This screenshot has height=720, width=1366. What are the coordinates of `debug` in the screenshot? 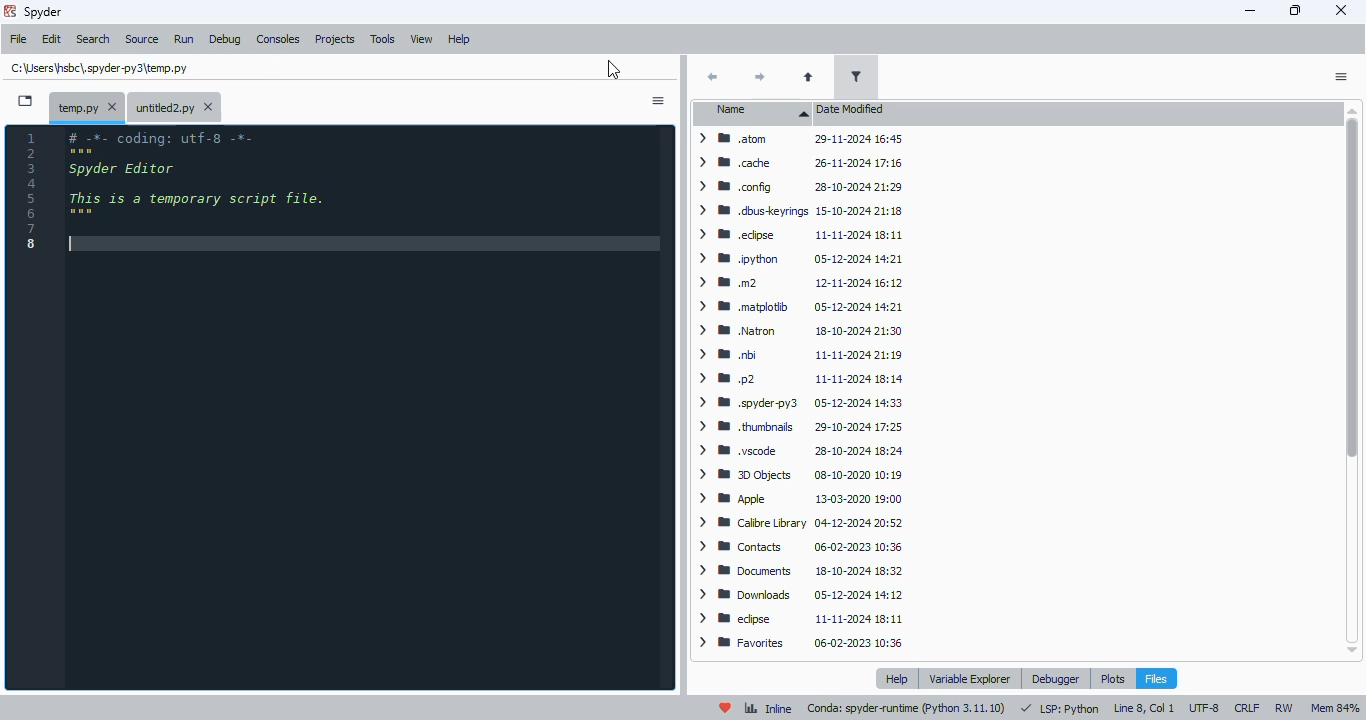 It's located at (225, 39).